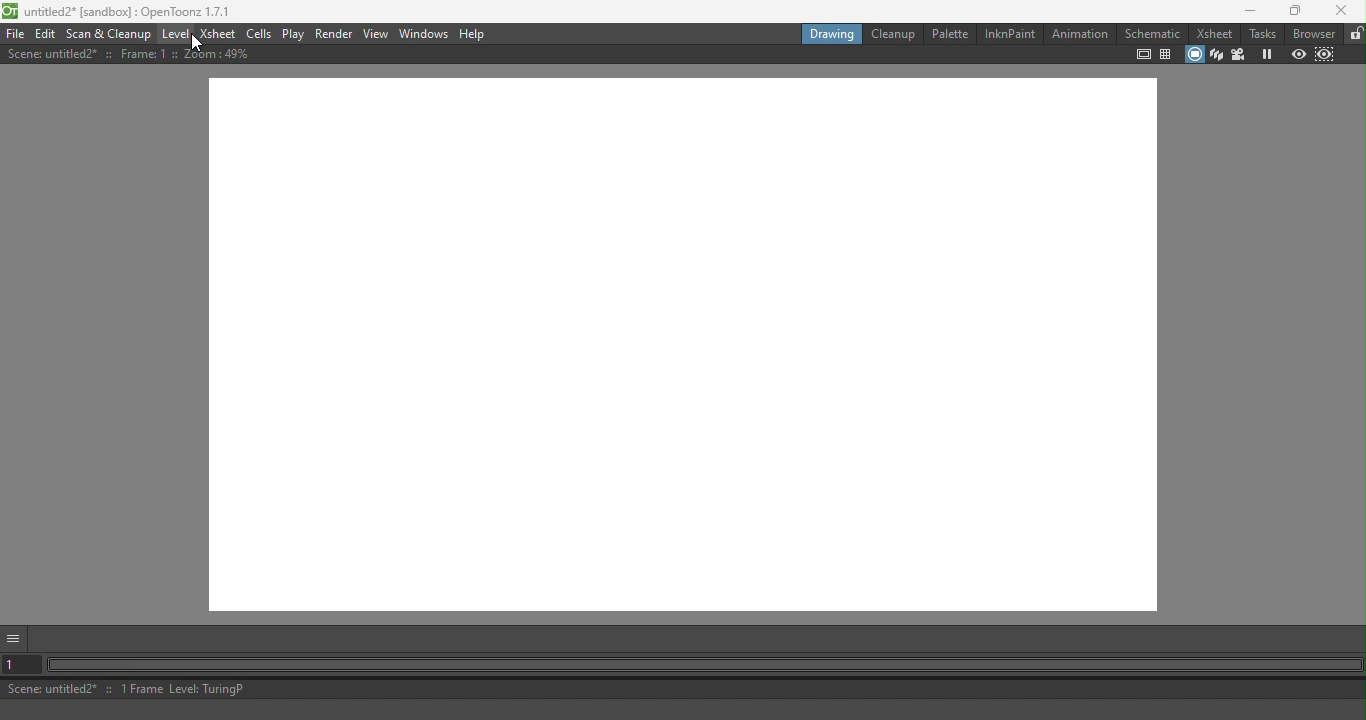 The image size is (1366, 720). Describe the element at coordinates (695, 349) in the screenshot. I see `Canvas` at that location.